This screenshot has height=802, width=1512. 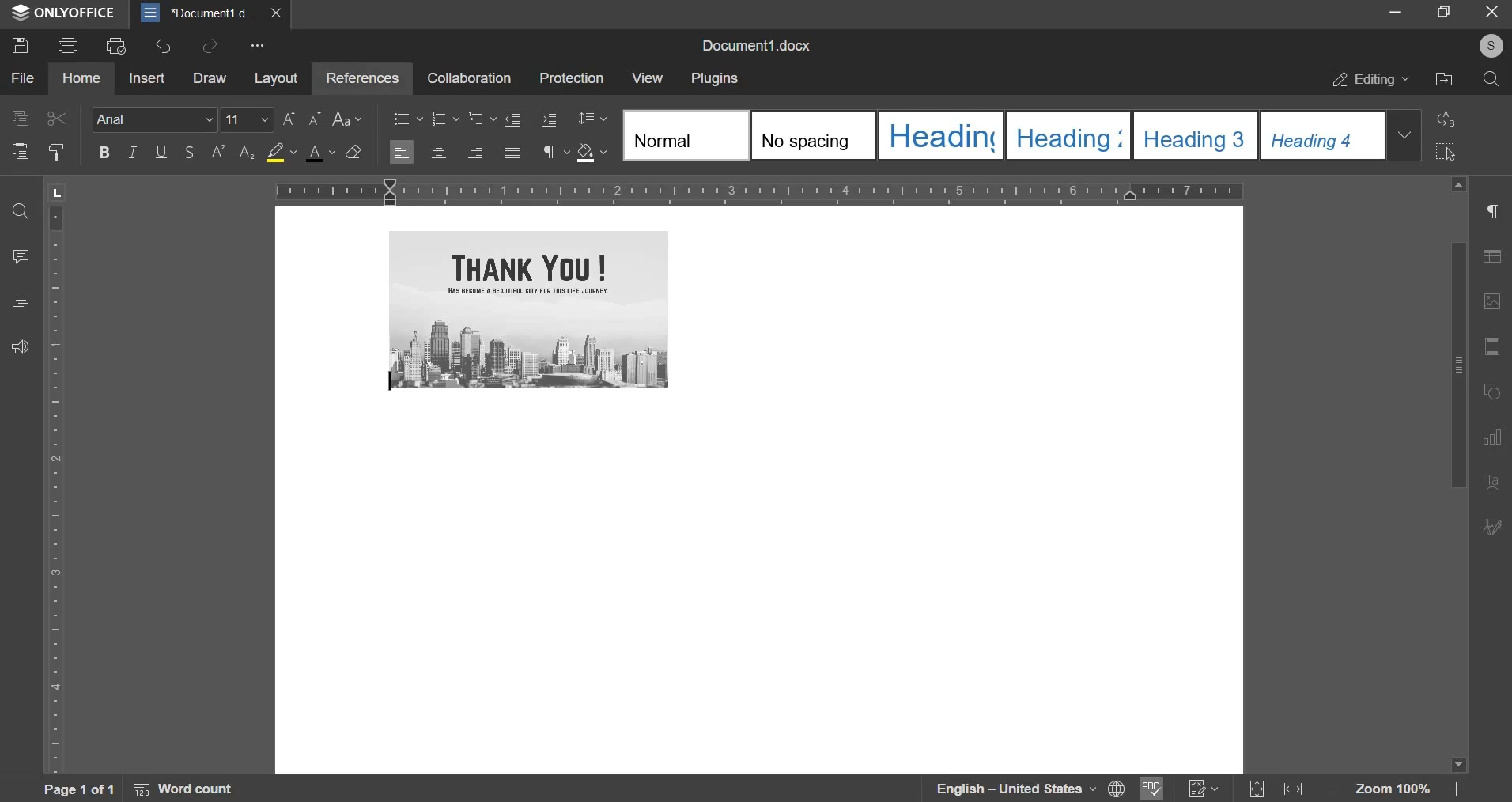 I want to click on file, so click(x=24, y=79).